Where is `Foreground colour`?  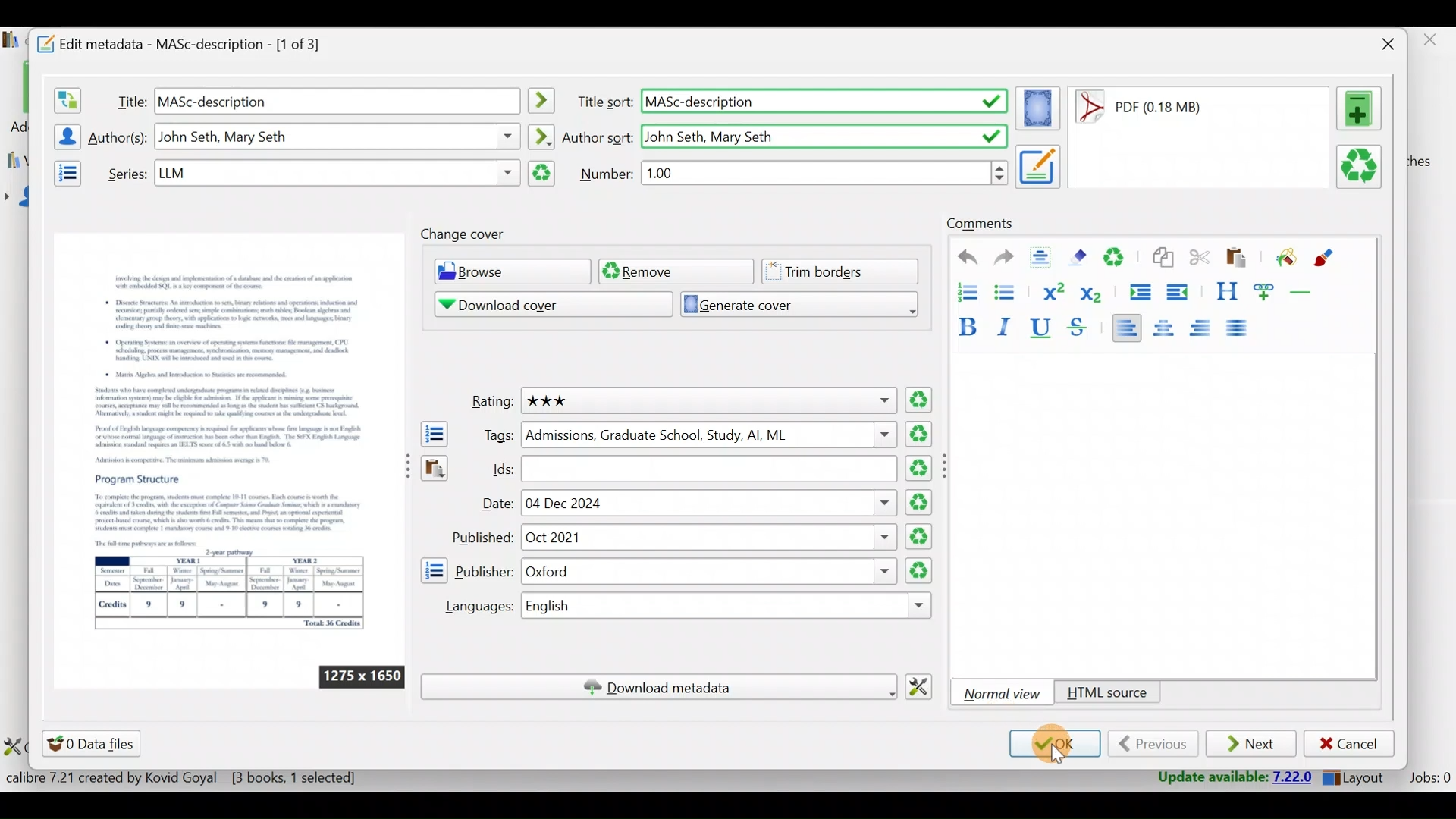
Foreground colour is located at coordinates (1326, 258).